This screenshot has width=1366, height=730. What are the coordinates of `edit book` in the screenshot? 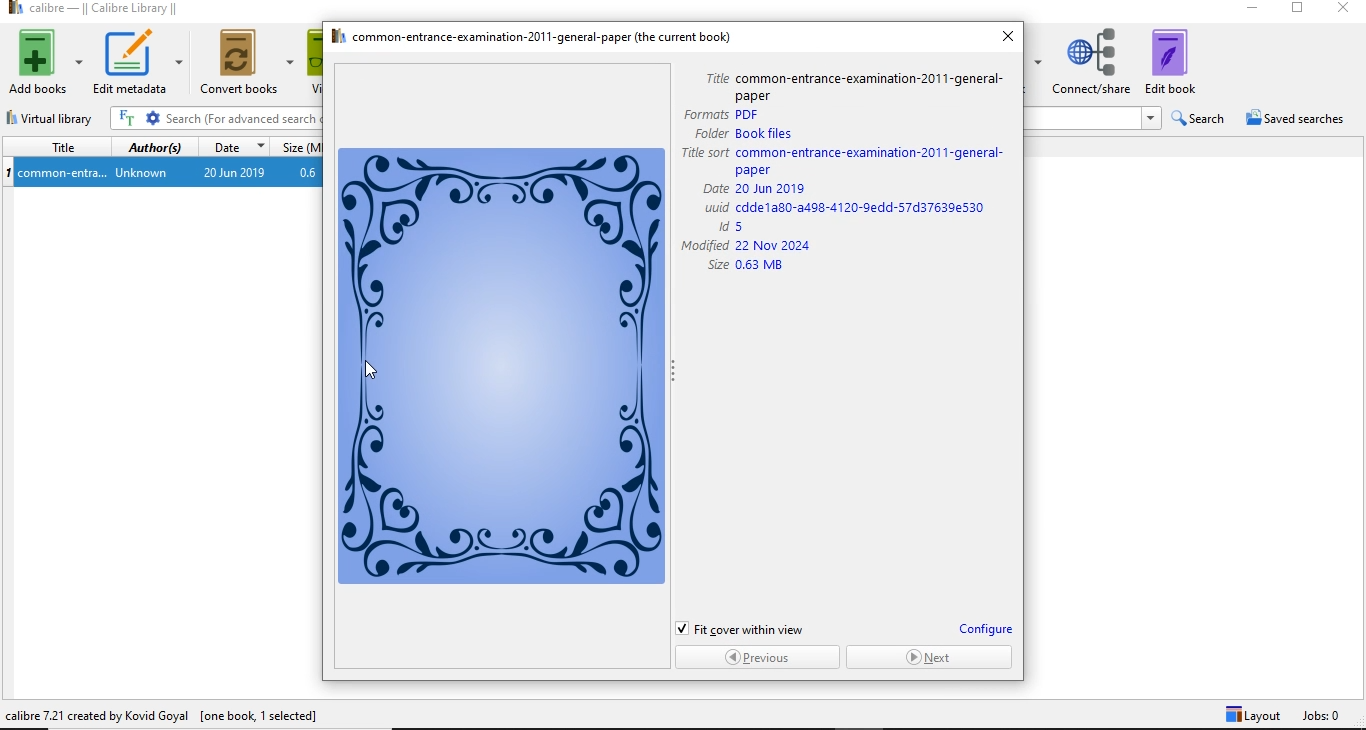 It's located at (1184, 57).